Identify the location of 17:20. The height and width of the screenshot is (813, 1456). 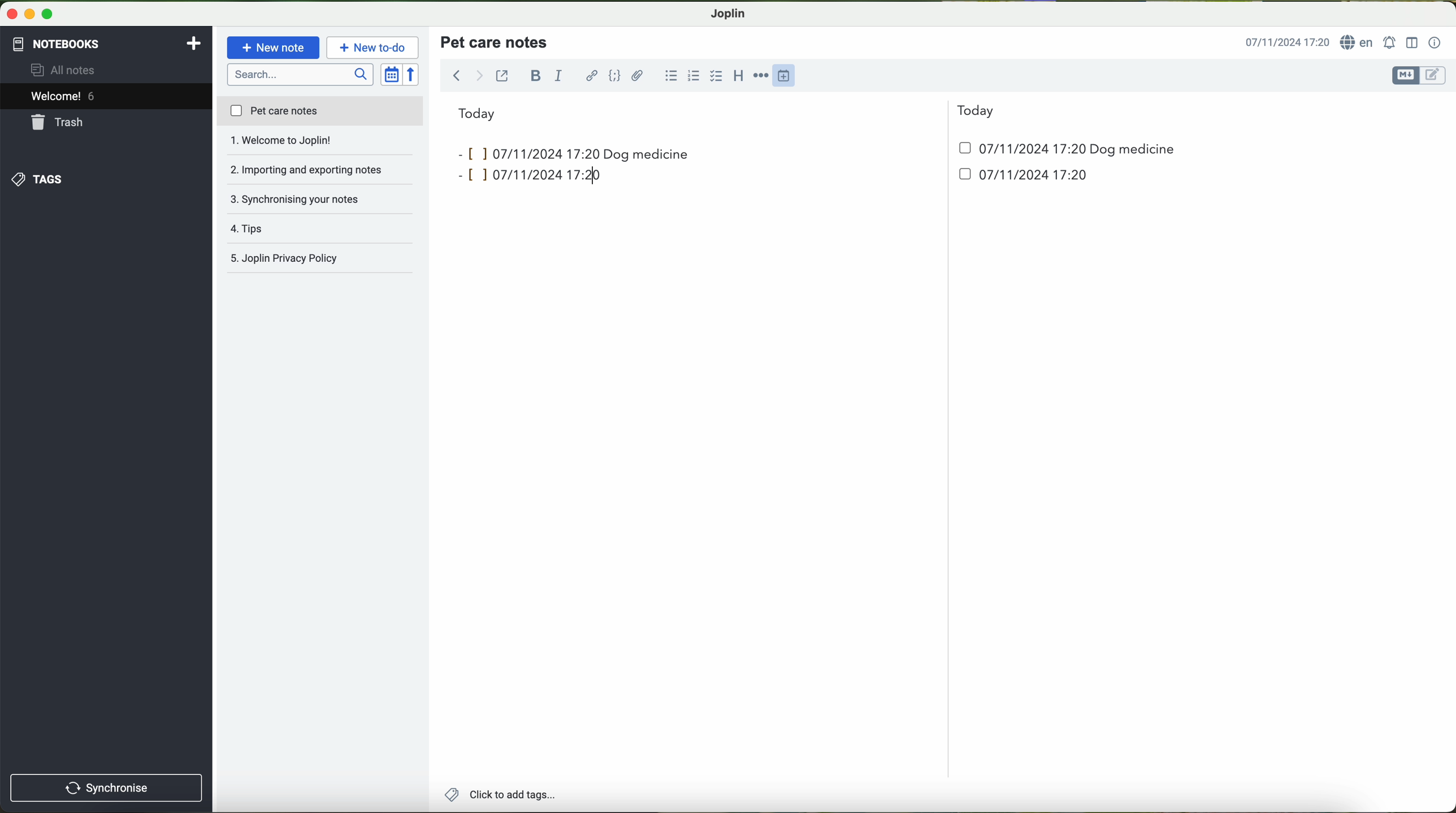
(587, 174).